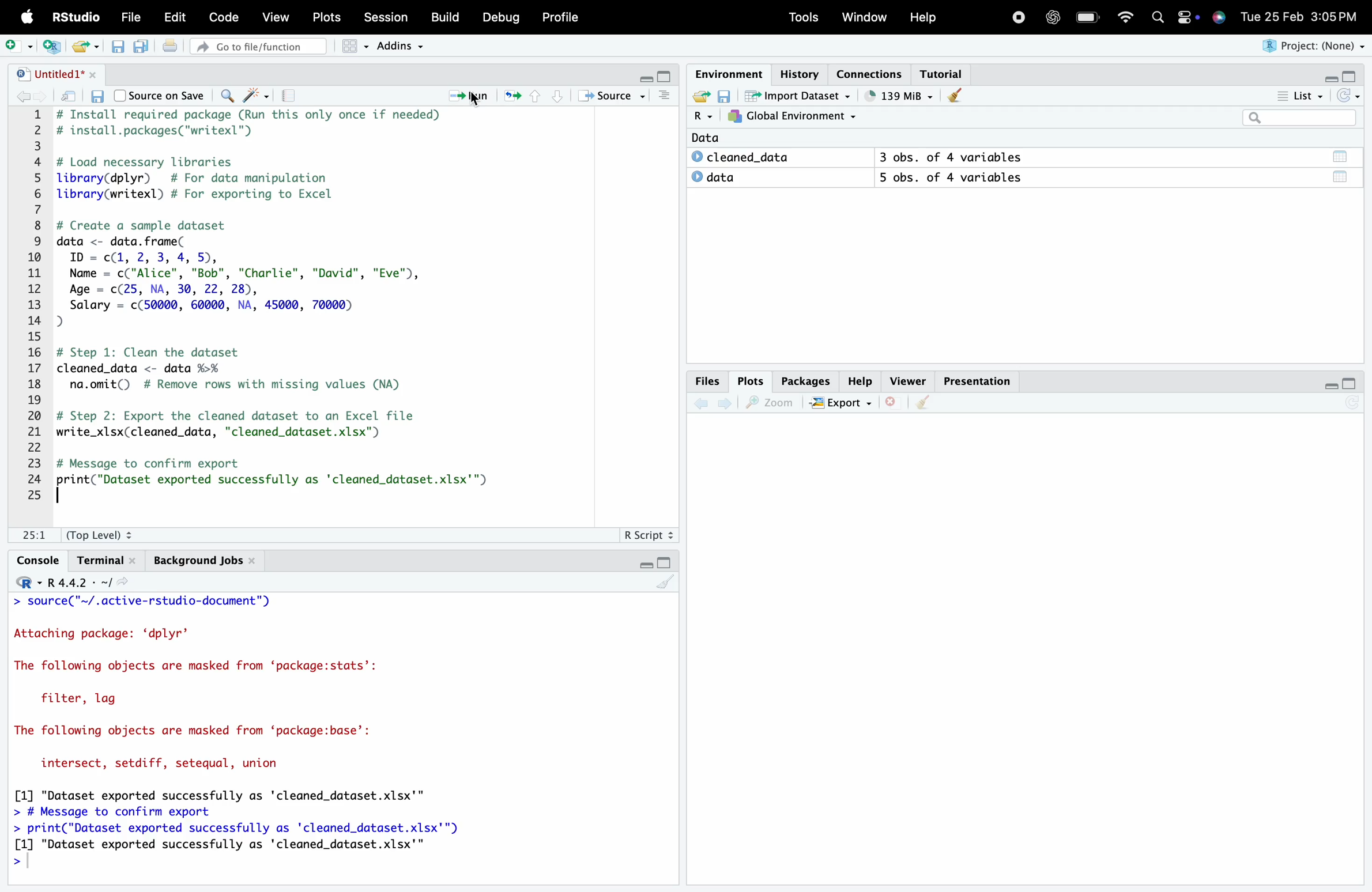 The width and height of the screenshot is (1372, 892). Describe the element at coordinates (908, 381) in the screenshot. I see `Viewer` at that location.